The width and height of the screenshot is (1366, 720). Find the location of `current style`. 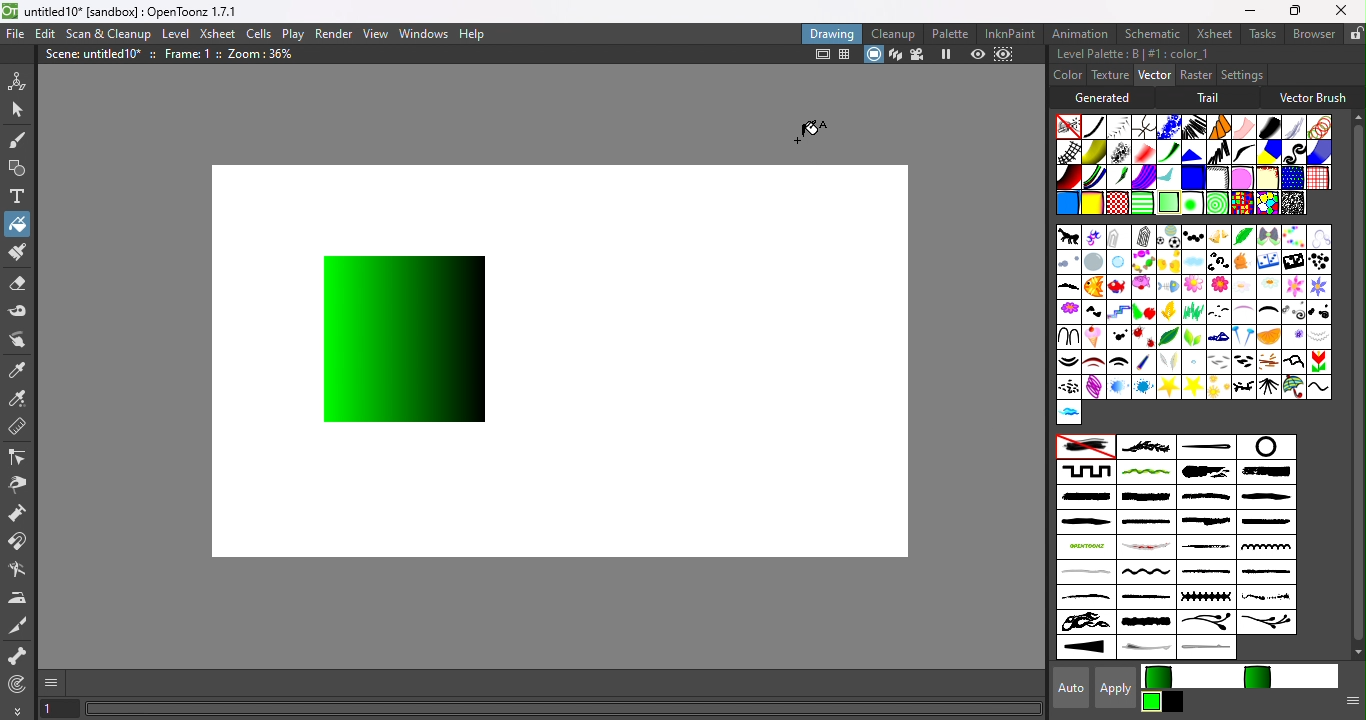

current style is located at coordinates (1195, 677).